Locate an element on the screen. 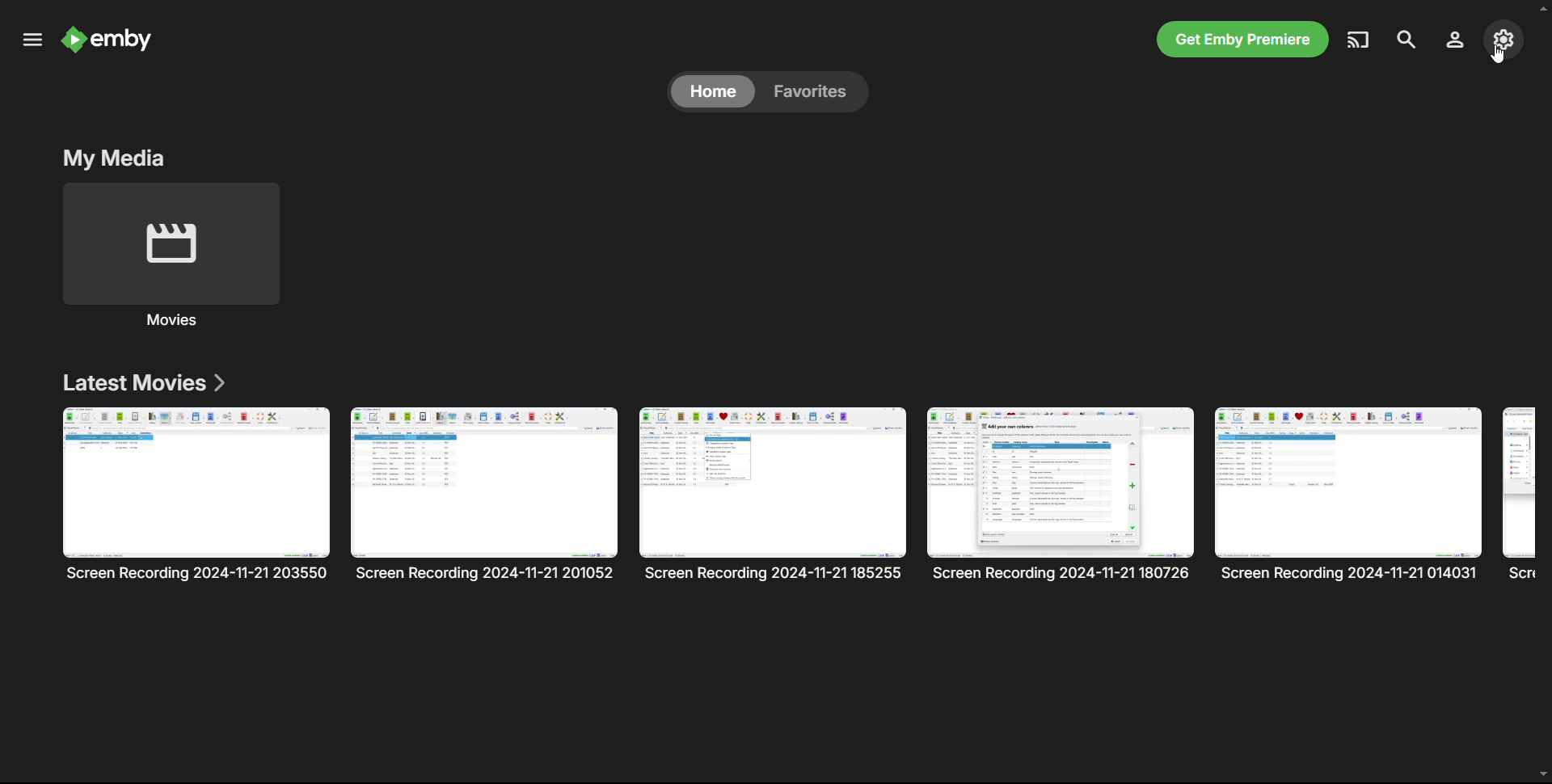 The height and width of the screenshot is (784, 1552). get emby premiere is located at coordinates (1240, 39).